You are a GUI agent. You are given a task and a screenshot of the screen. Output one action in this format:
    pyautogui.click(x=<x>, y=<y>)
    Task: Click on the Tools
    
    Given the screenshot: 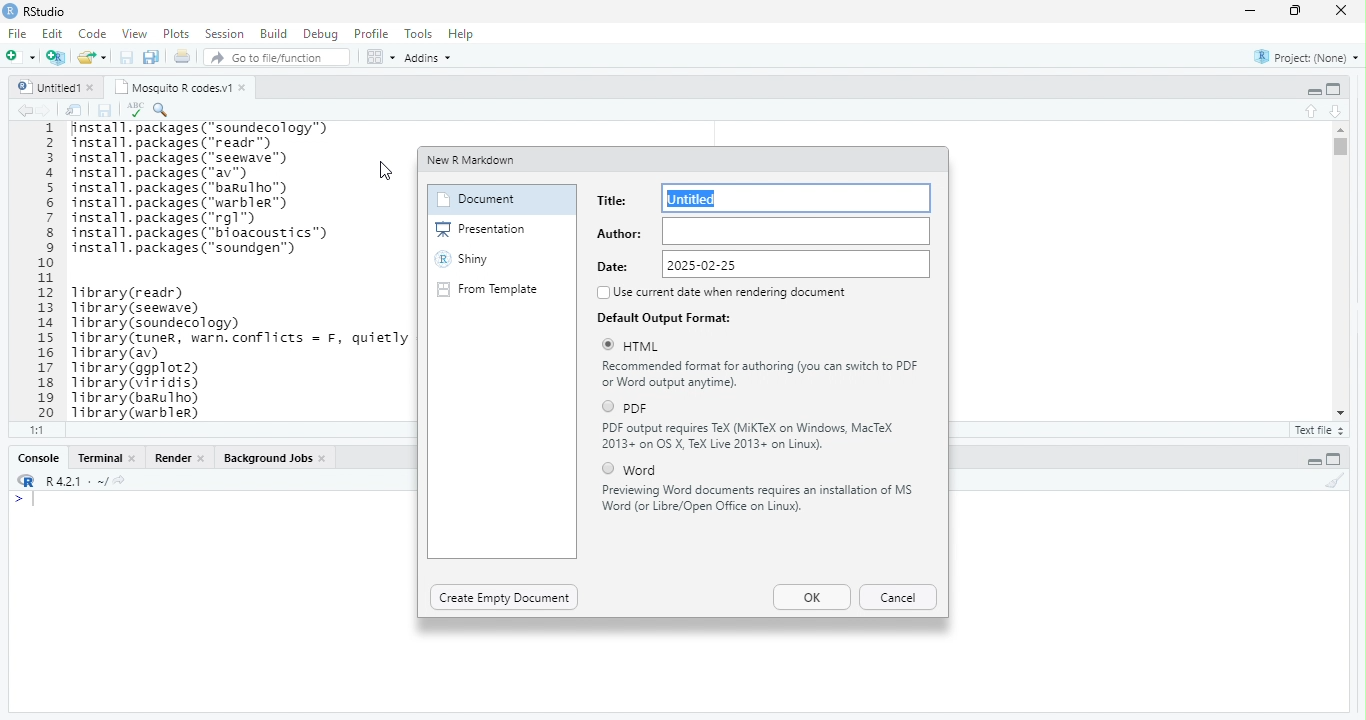 What is the action you would take?
    pyautogui.click(x=419, y=34)
    